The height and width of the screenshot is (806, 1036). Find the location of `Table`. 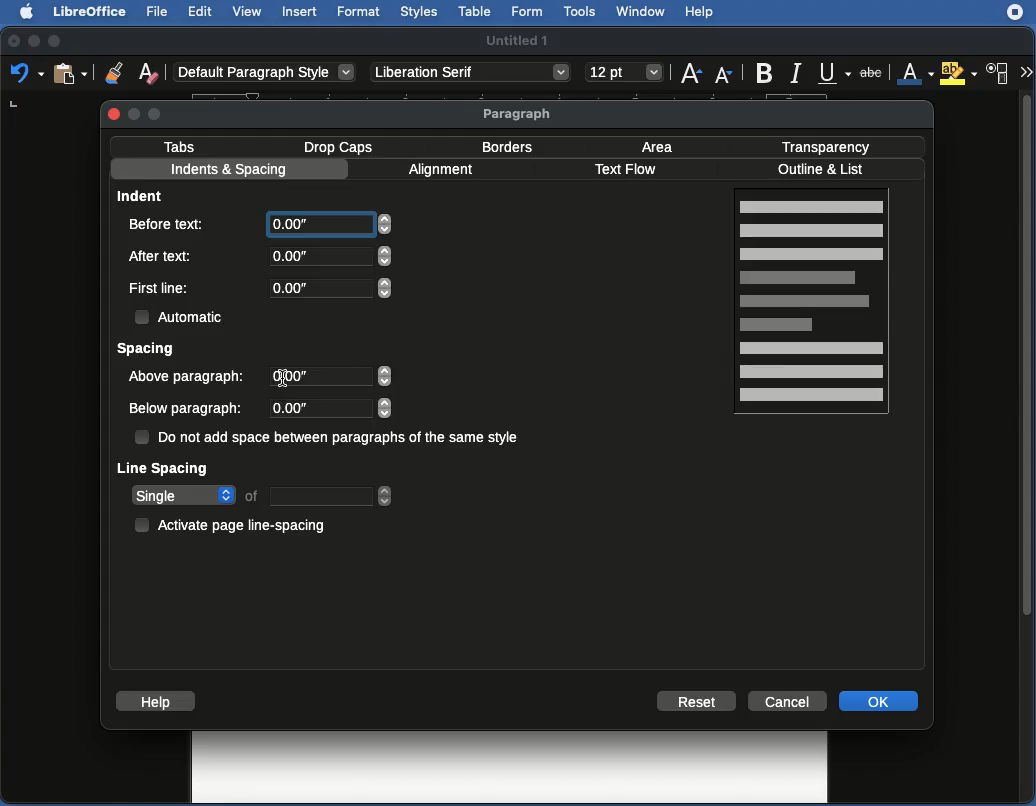

Table is located at coordinates (475, 12).